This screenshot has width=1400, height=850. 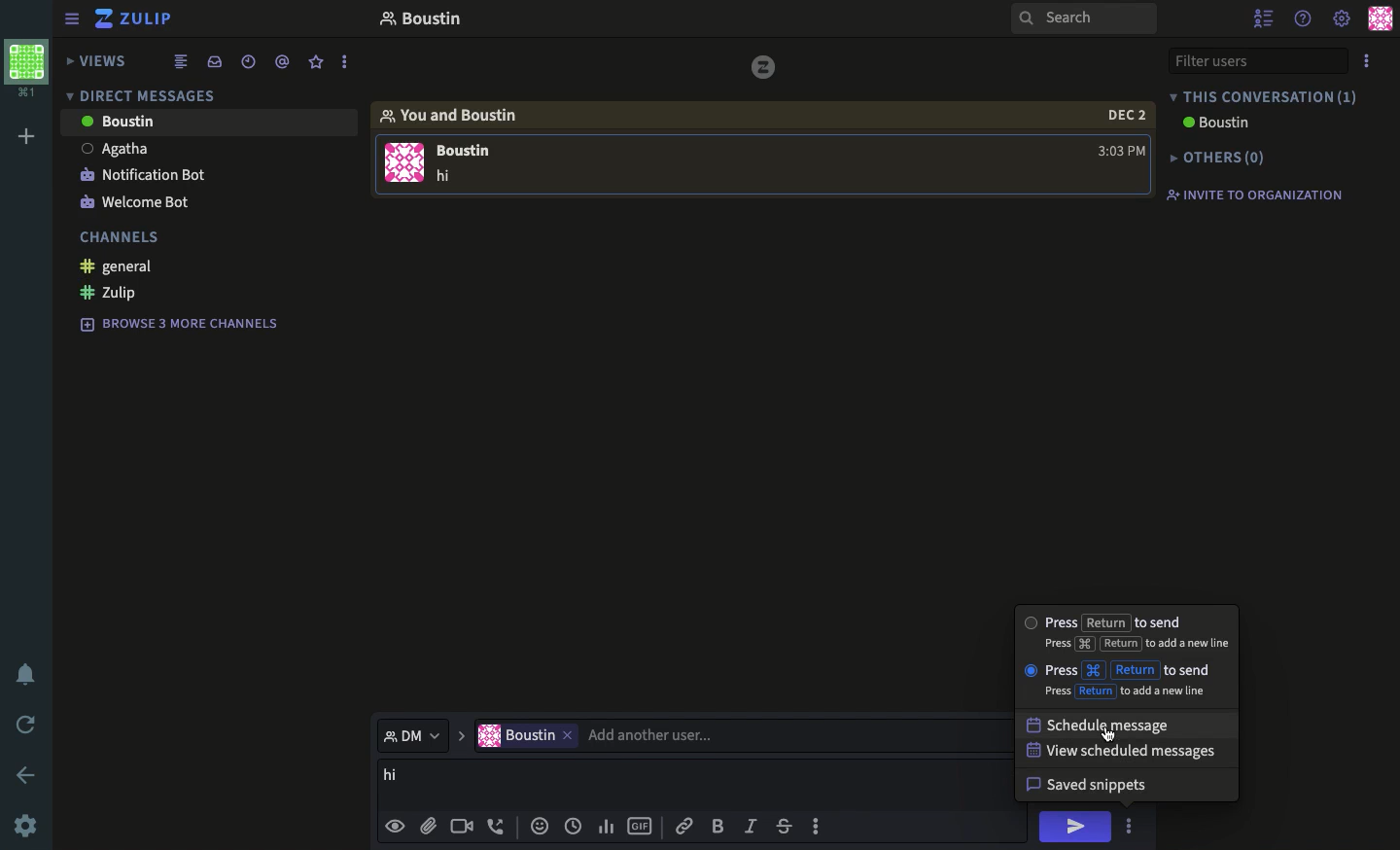 I want to click on direct messages, so click(x=157, y=95).